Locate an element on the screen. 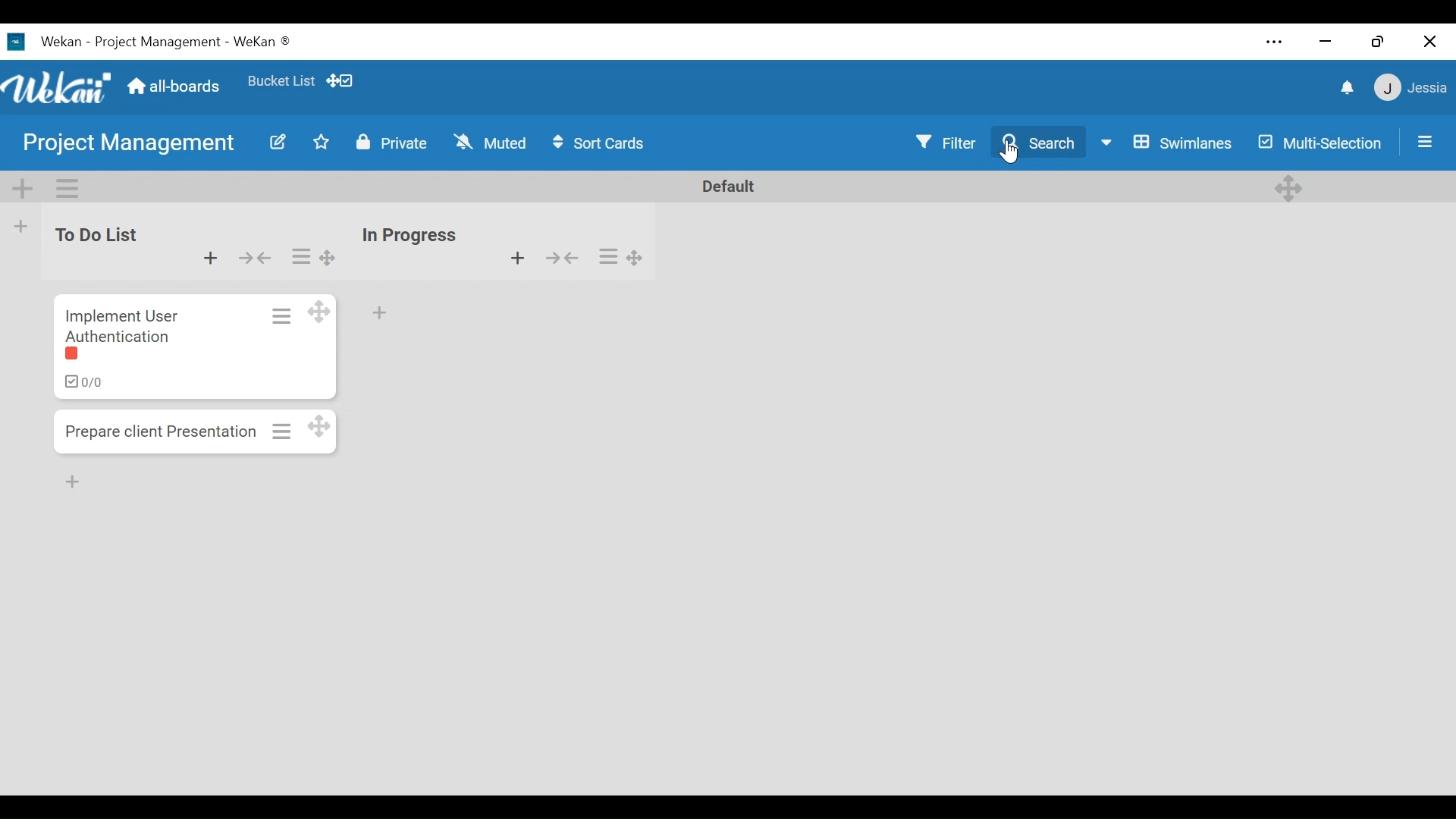 The image size is (1456, 819). Show/Hide Desktop drag icons is located at coordinates (343, 80).